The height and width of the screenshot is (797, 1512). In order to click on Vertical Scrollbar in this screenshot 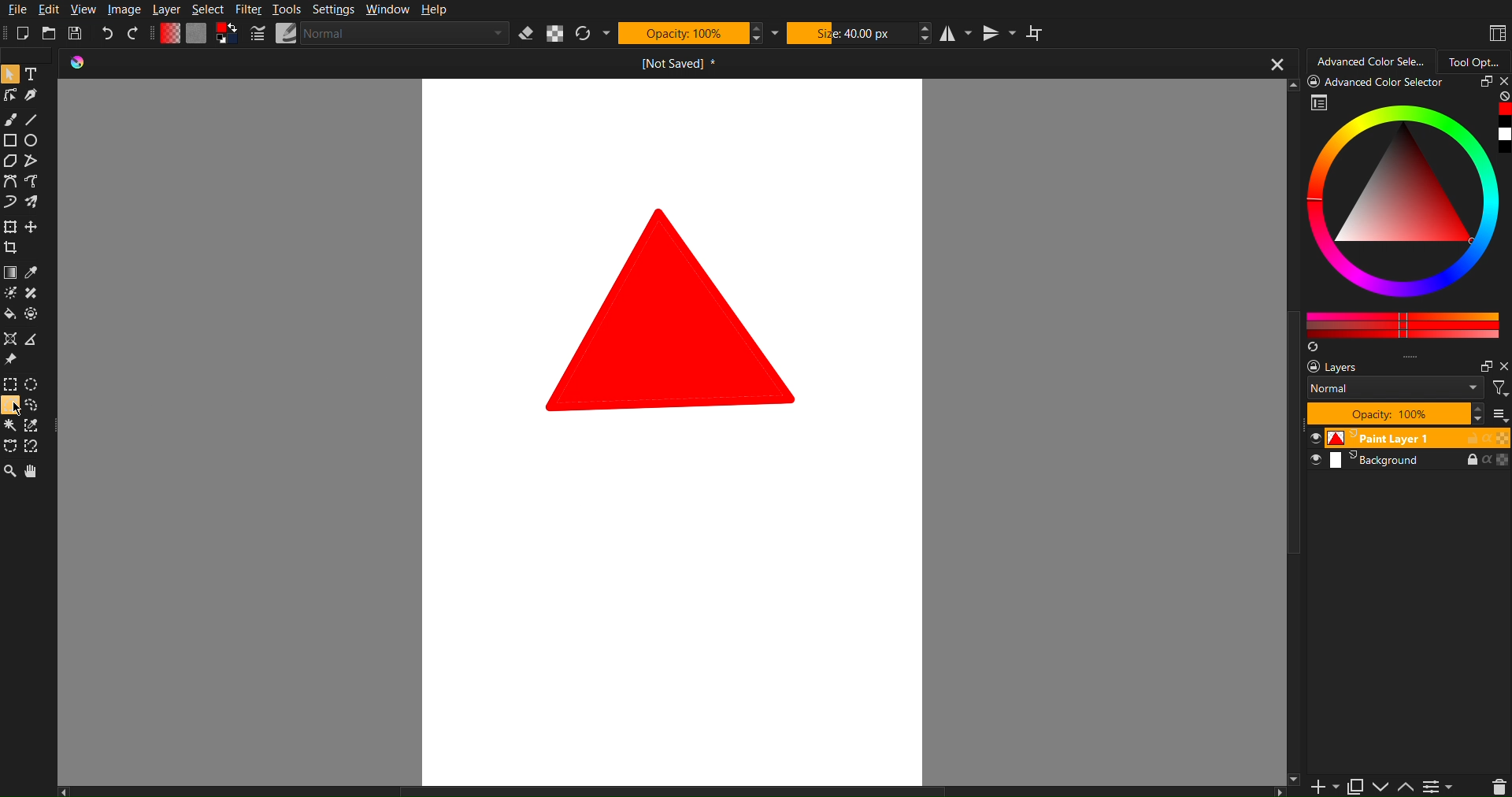, I will do `click(1295, 629)`.